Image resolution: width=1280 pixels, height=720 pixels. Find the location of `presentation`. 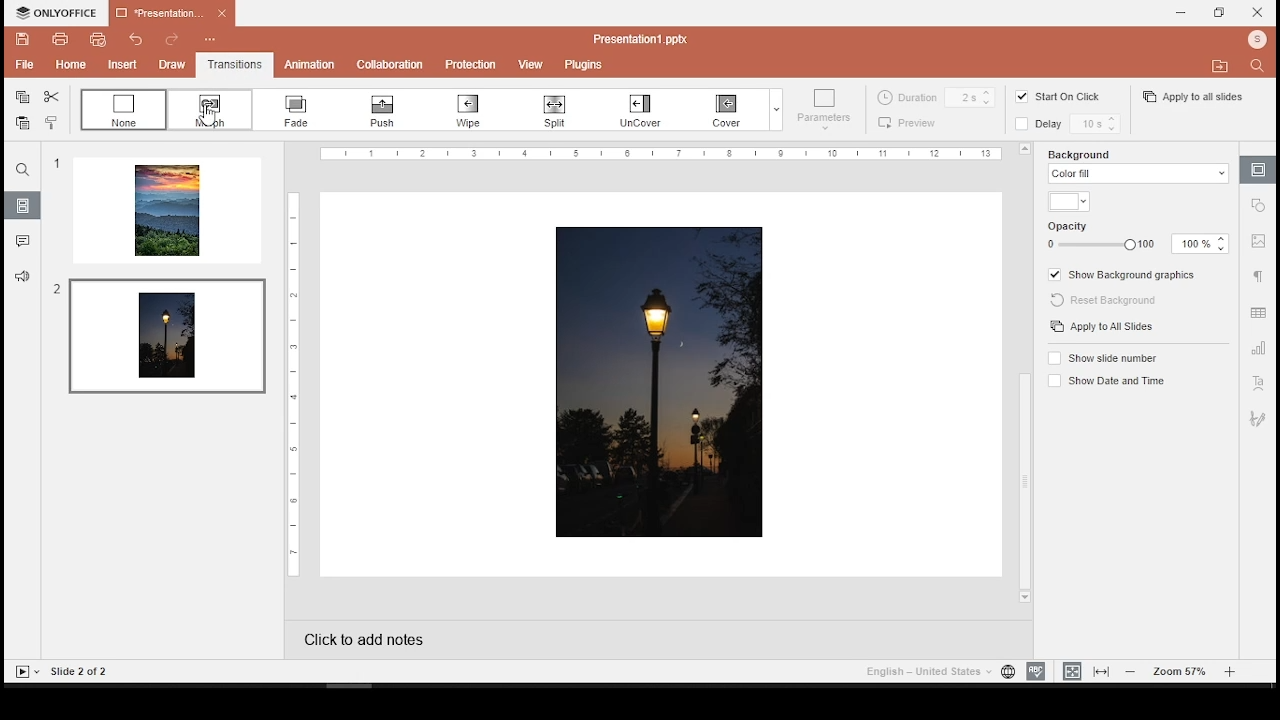

presentation is located at coordinates (173, 14).